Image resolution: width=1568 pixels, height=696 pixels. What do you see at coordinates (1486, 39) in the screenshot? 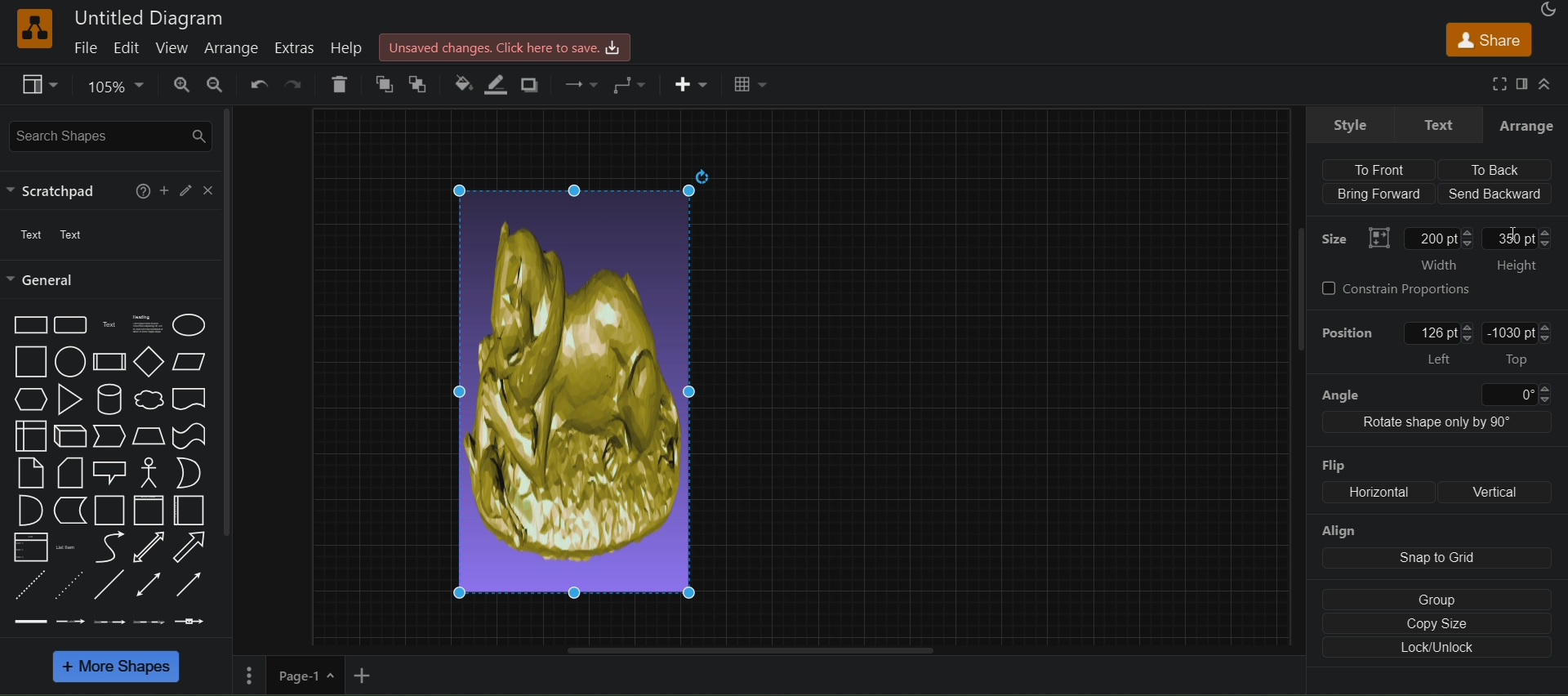
I see `share` at bounding box center [1486, 39].